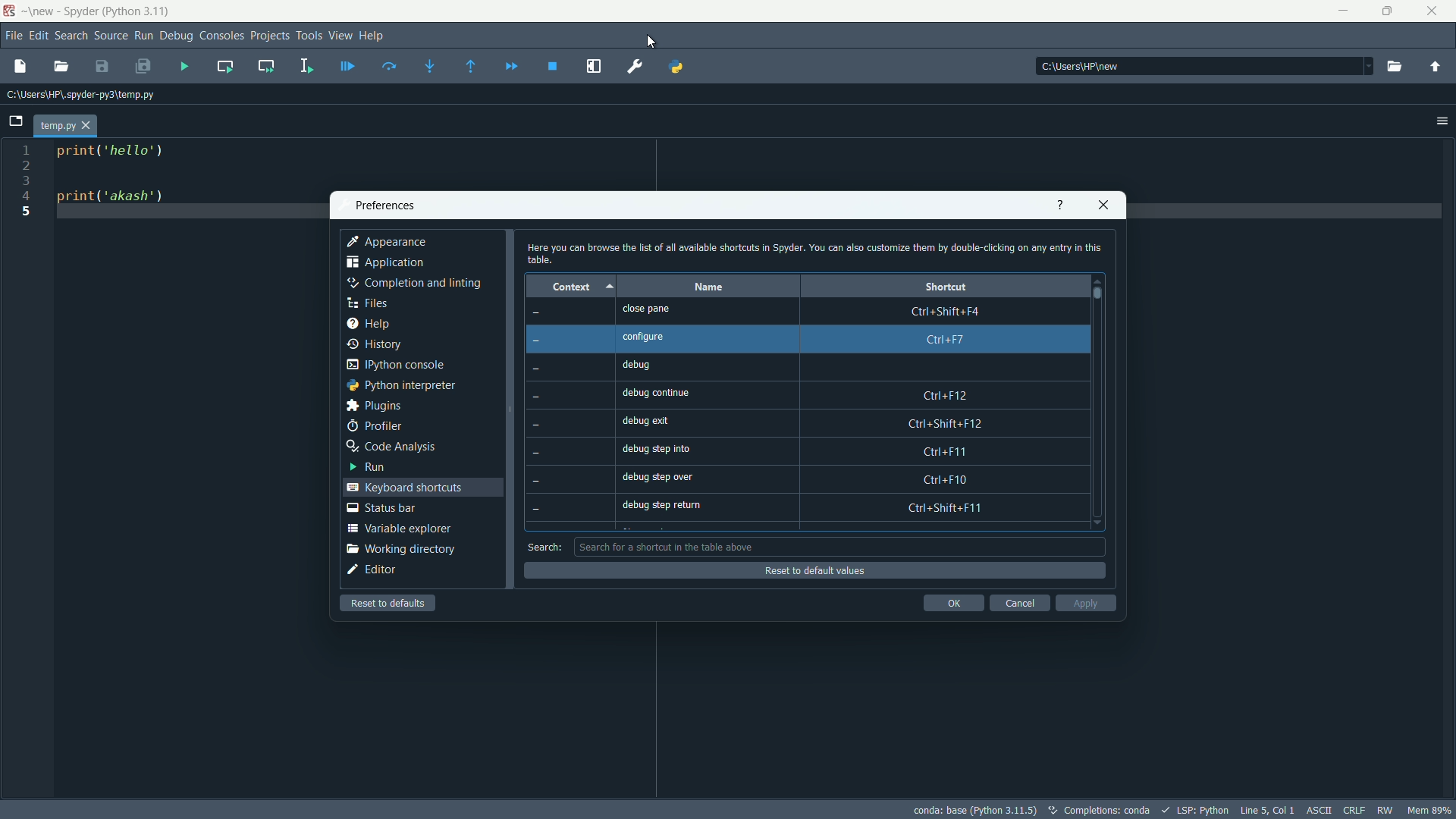 The height and width of the screenshot is (819, 1456). What do you see at coordinates (821, 479) in the screenshot?
I see `debug step over Ctrl+F10` at bounding box center [821, 479].